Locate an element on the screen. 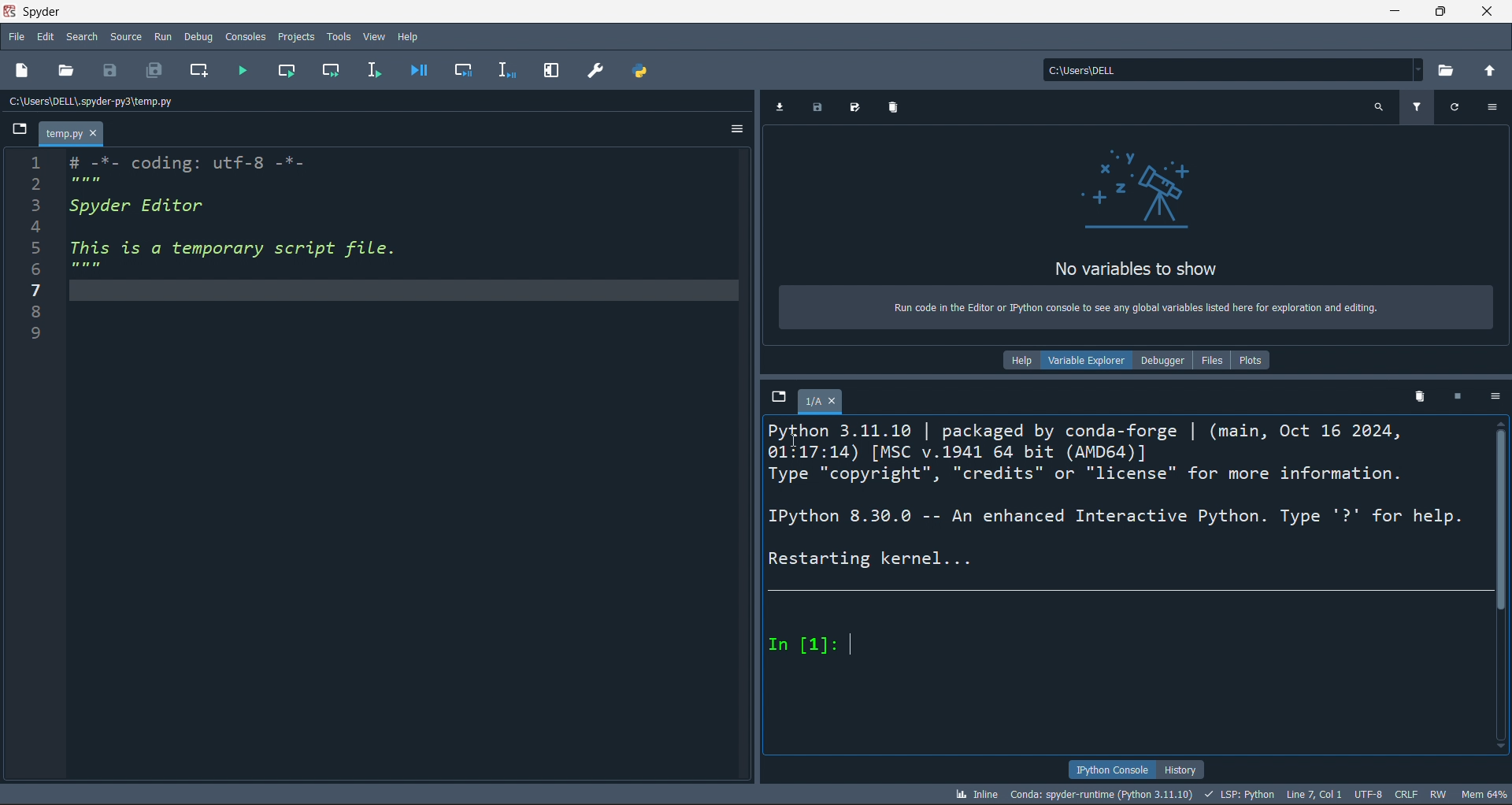 The image size is (1512, 805). debug cell is located at coordinates (464, 69).